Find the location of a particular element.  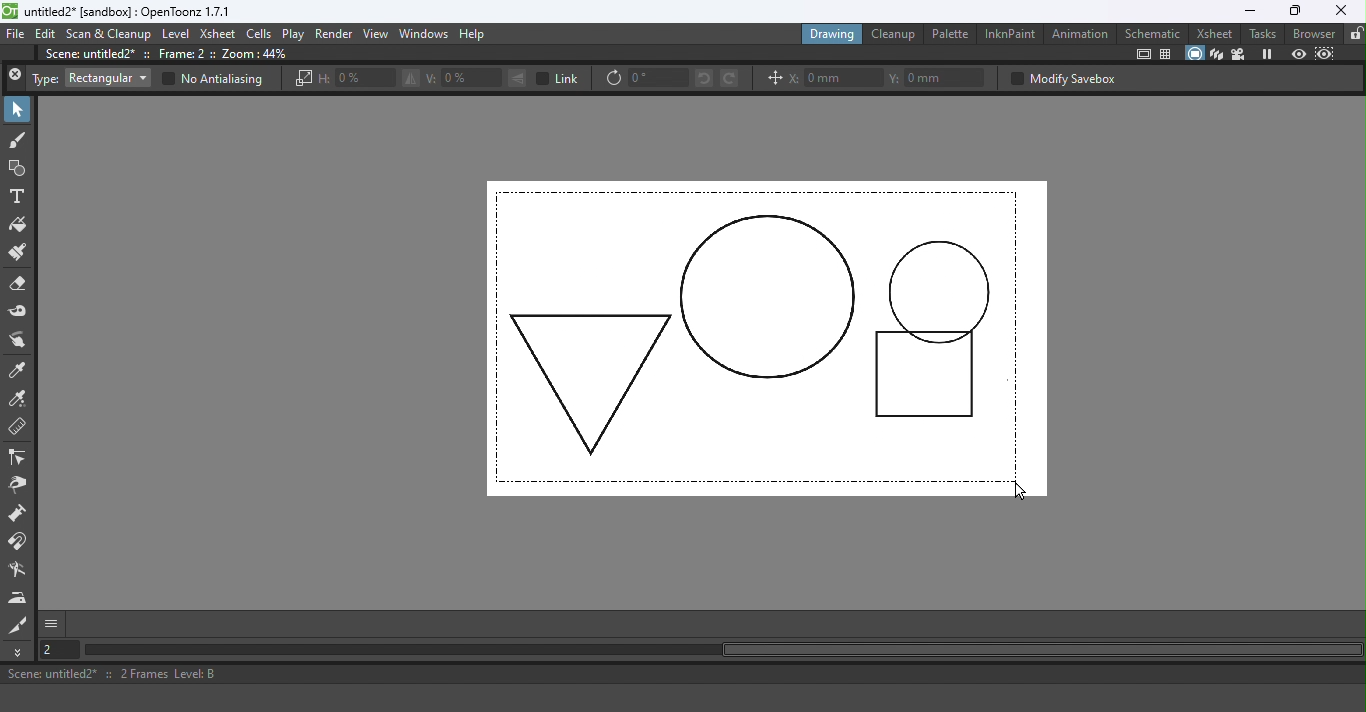

Brush tool is located at coordinates (18, 141).